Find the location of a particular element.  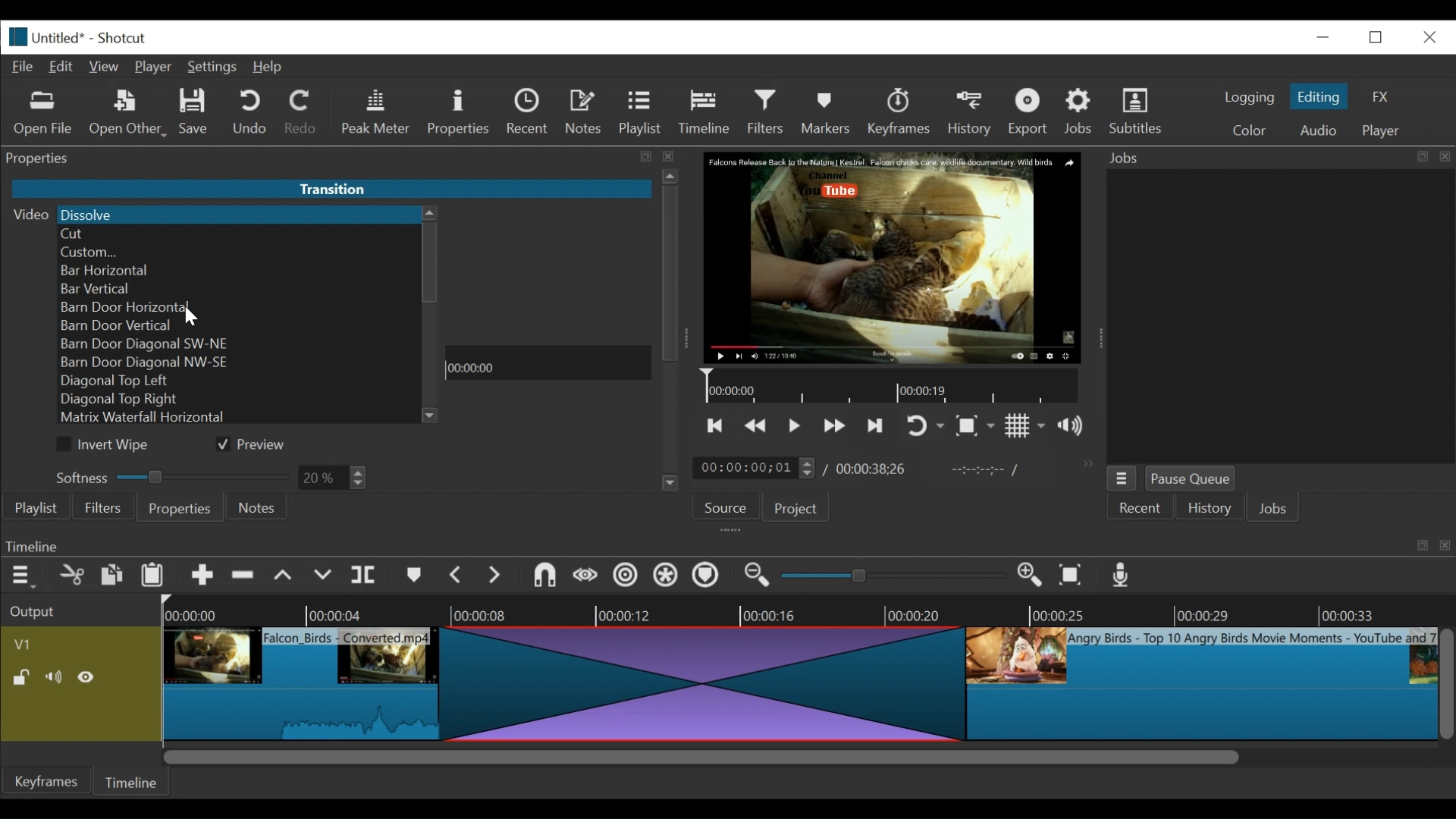

Timeline is located at coordinates (134, 780).